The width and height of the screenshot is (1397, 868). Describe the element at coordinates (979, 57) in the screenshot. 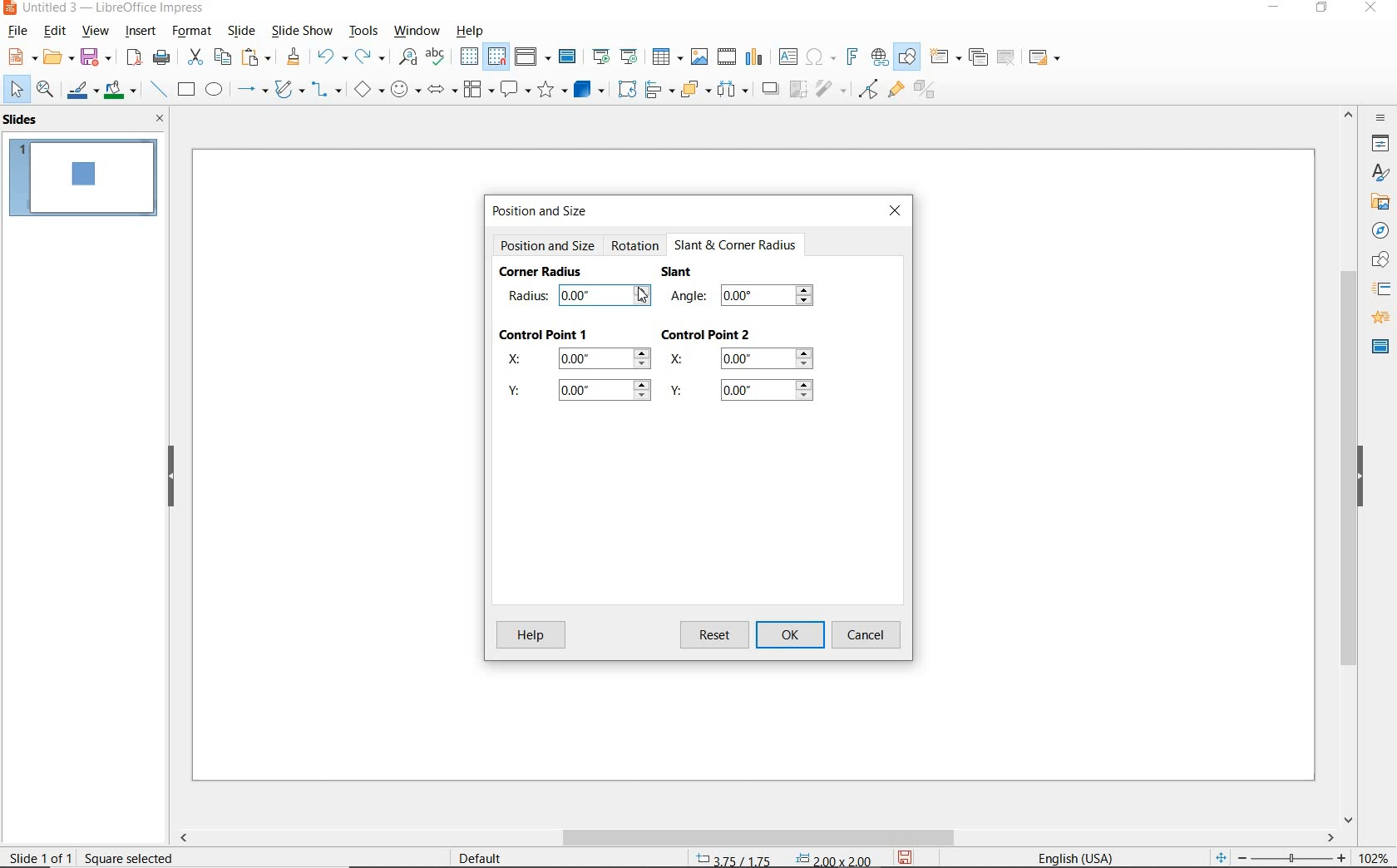

I see `duplicate slide` at that location.